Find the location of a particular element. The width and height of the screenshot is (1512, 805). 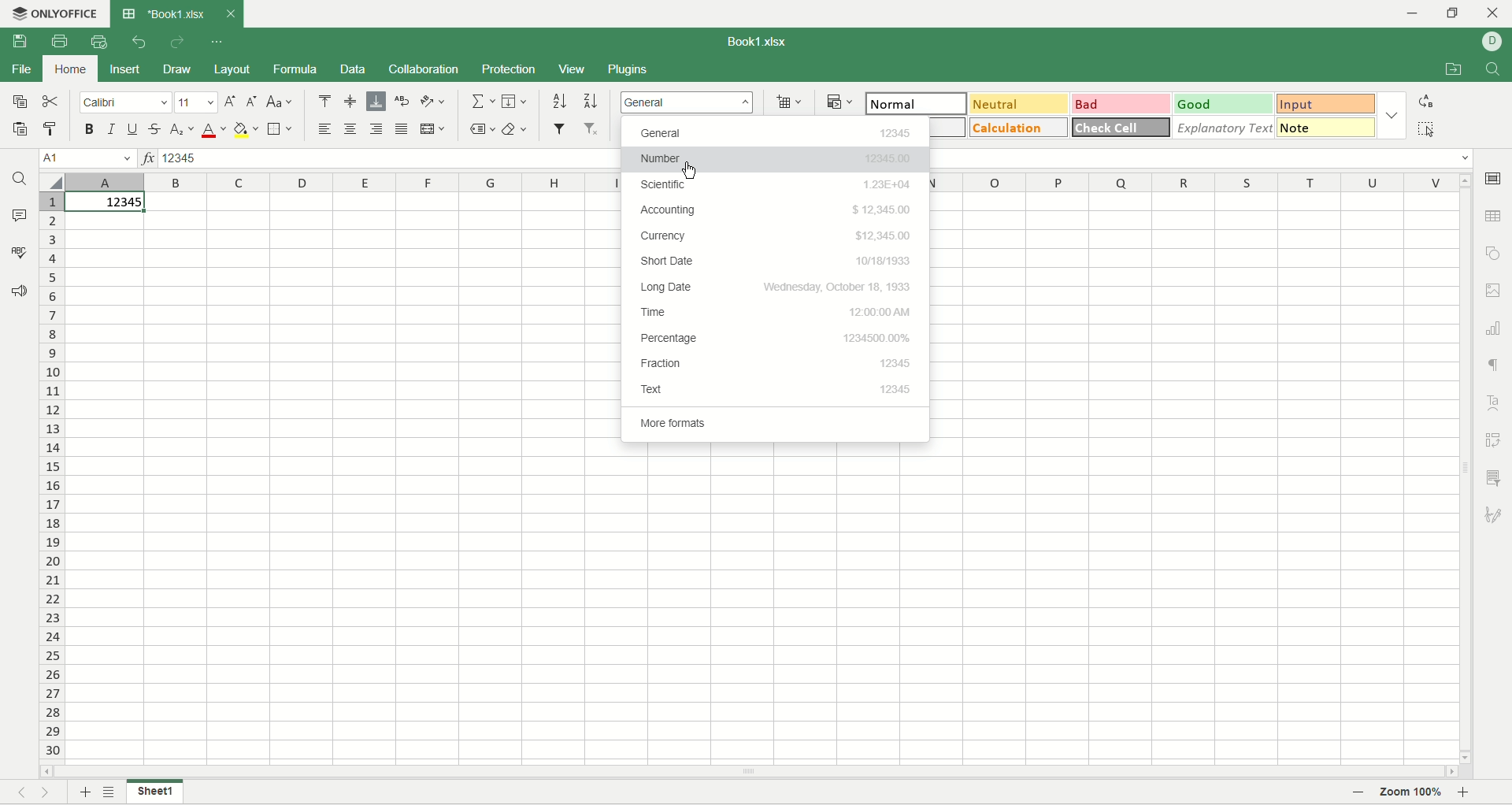

open file location is located at coordinates (1456, 70).